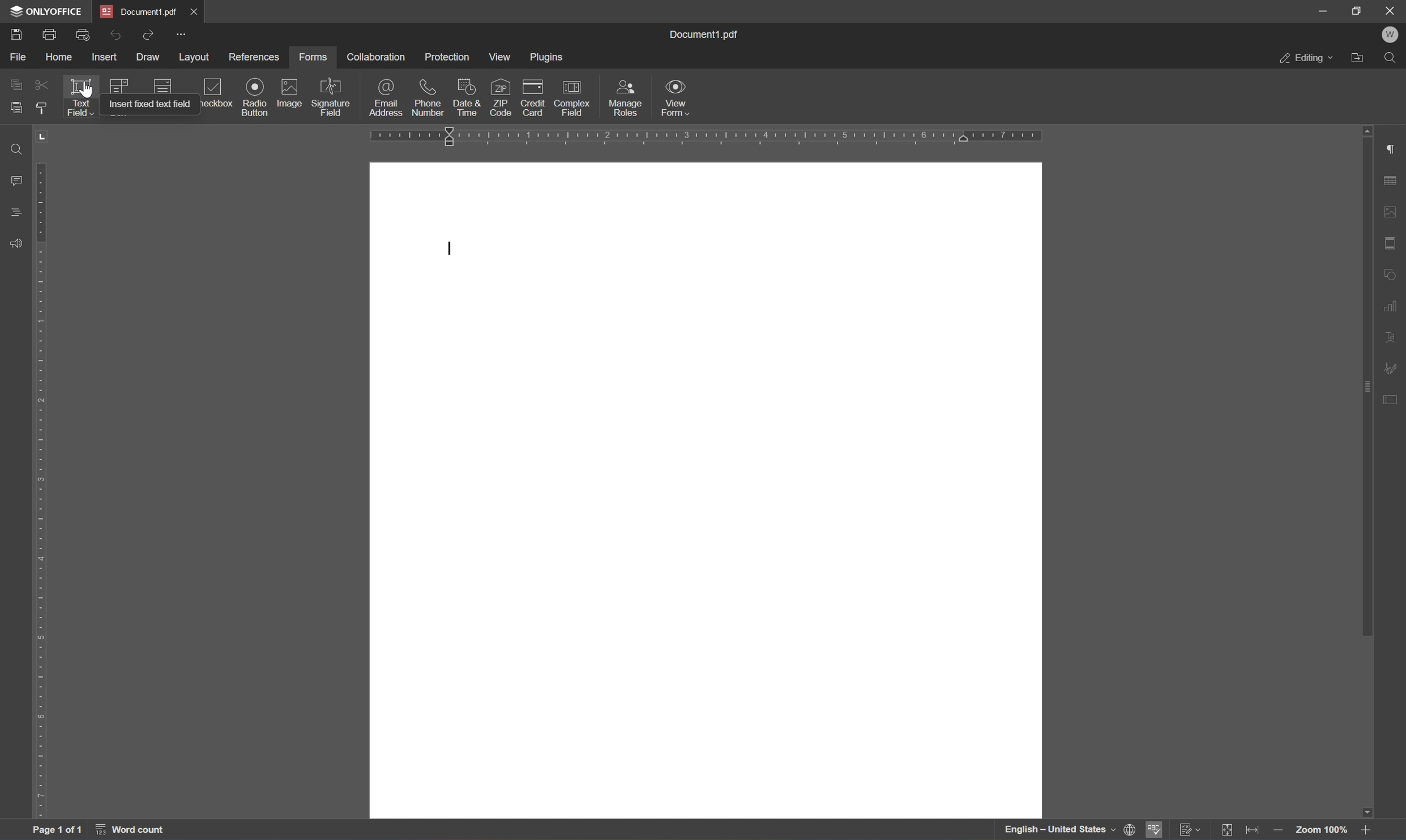 This screenshot has width=1406, height=840. What do you see at coordinates (45, 491) in the screenshot?
I see `ruler` at bounding box center [45, 491].